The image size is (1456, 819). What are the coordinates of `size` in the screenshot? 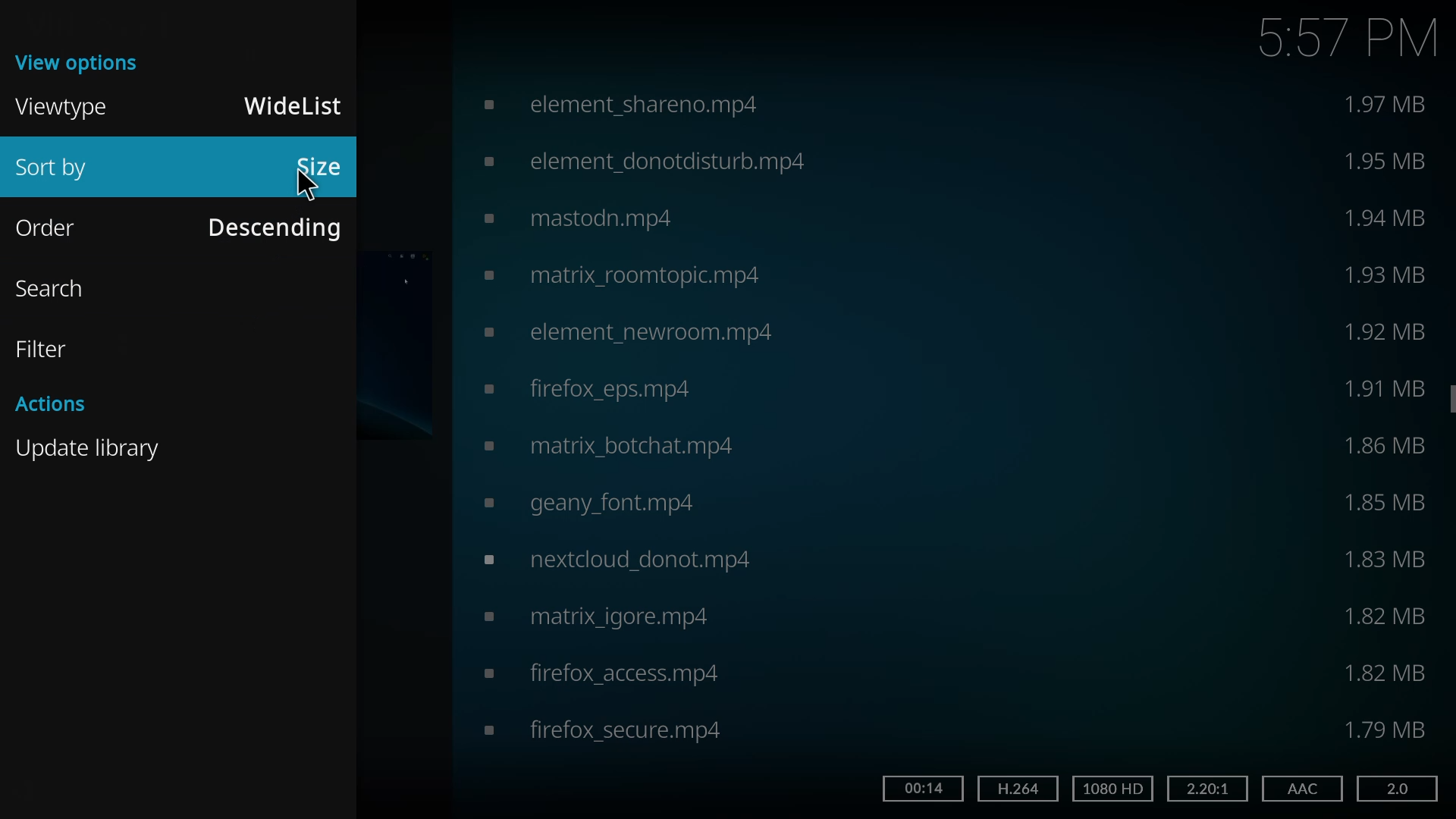 It's located at (1389, 216).